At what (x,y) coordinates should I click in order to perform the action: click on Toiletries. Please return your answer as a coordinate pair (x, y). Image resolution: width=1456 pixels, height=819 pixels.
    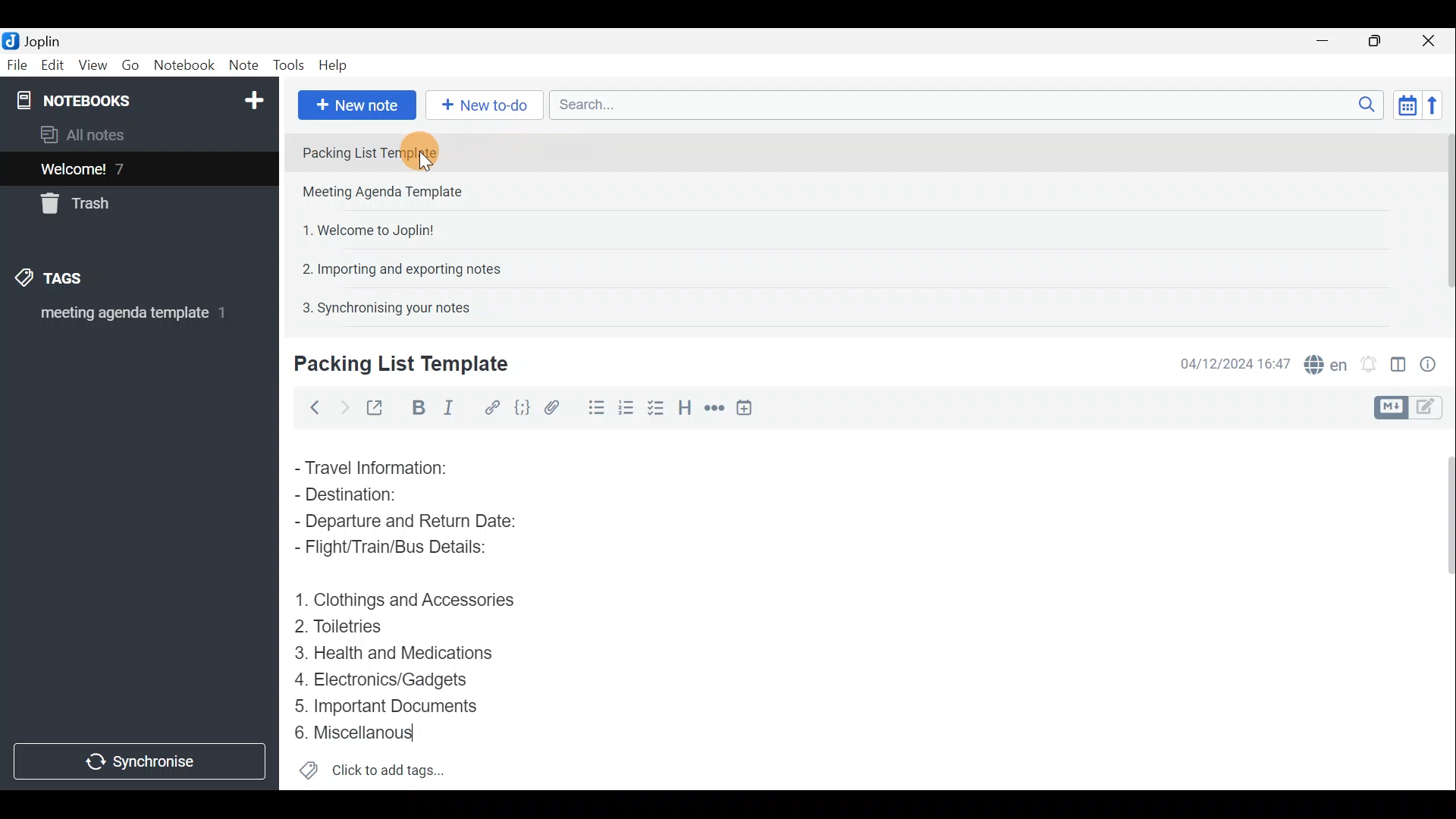
    Looking at the image, I should click on (349, 629).